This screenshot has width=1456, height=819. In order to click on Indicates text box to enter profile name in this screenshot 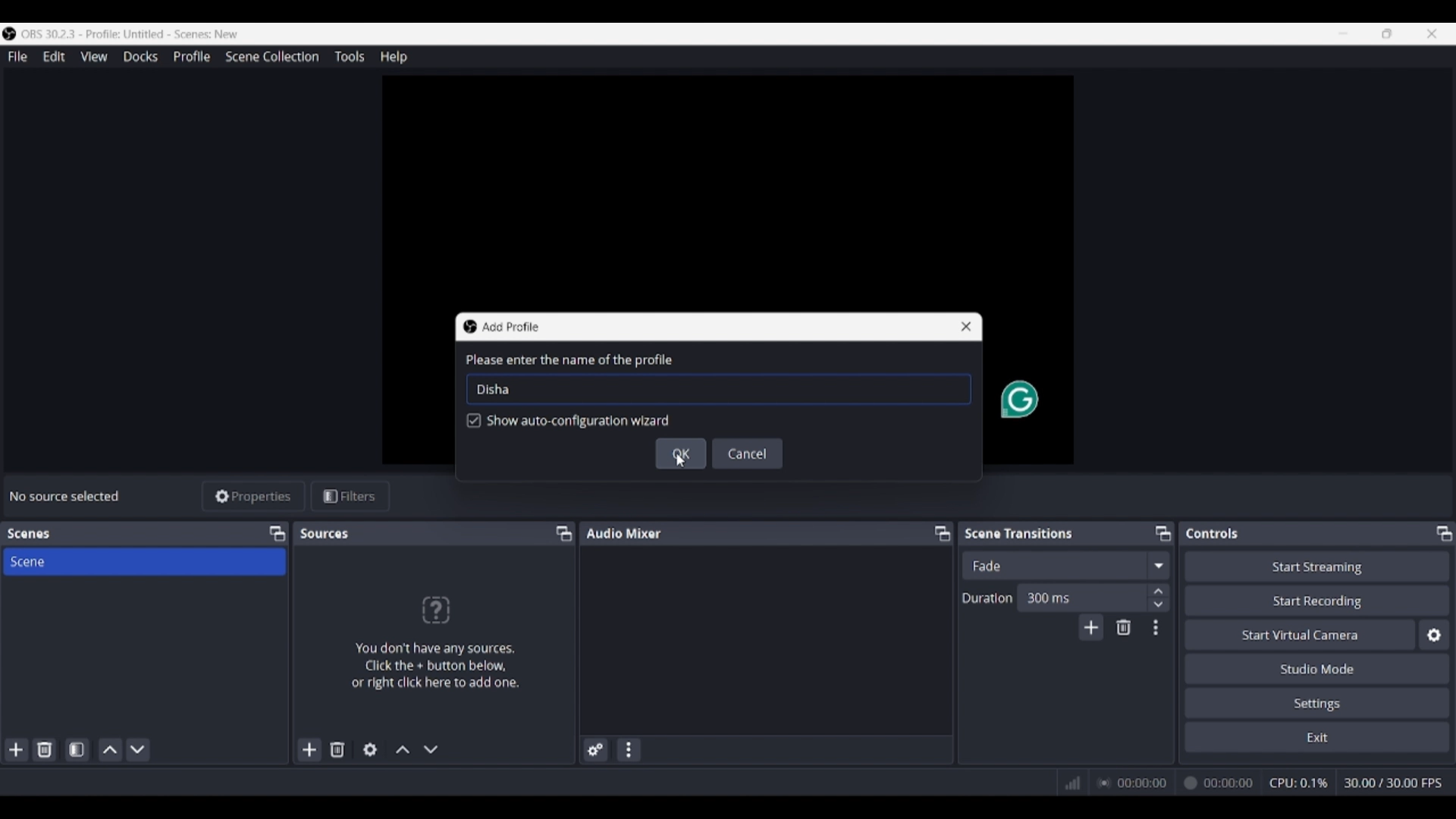, I will do `click(568, 360)`.